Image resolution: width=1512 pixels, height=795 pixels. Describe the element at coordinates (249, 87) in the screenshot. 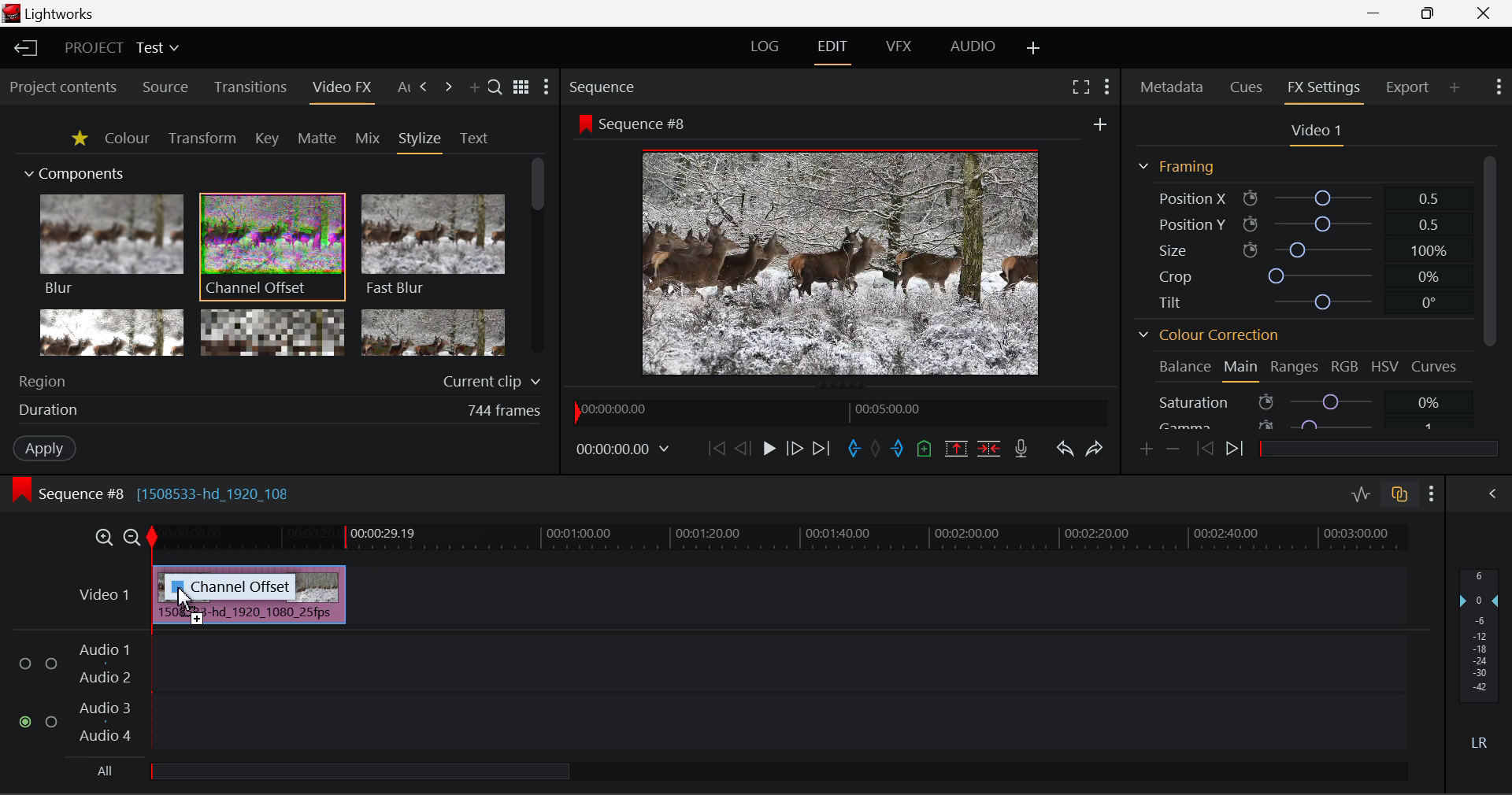

I see `Transitions` at that location.